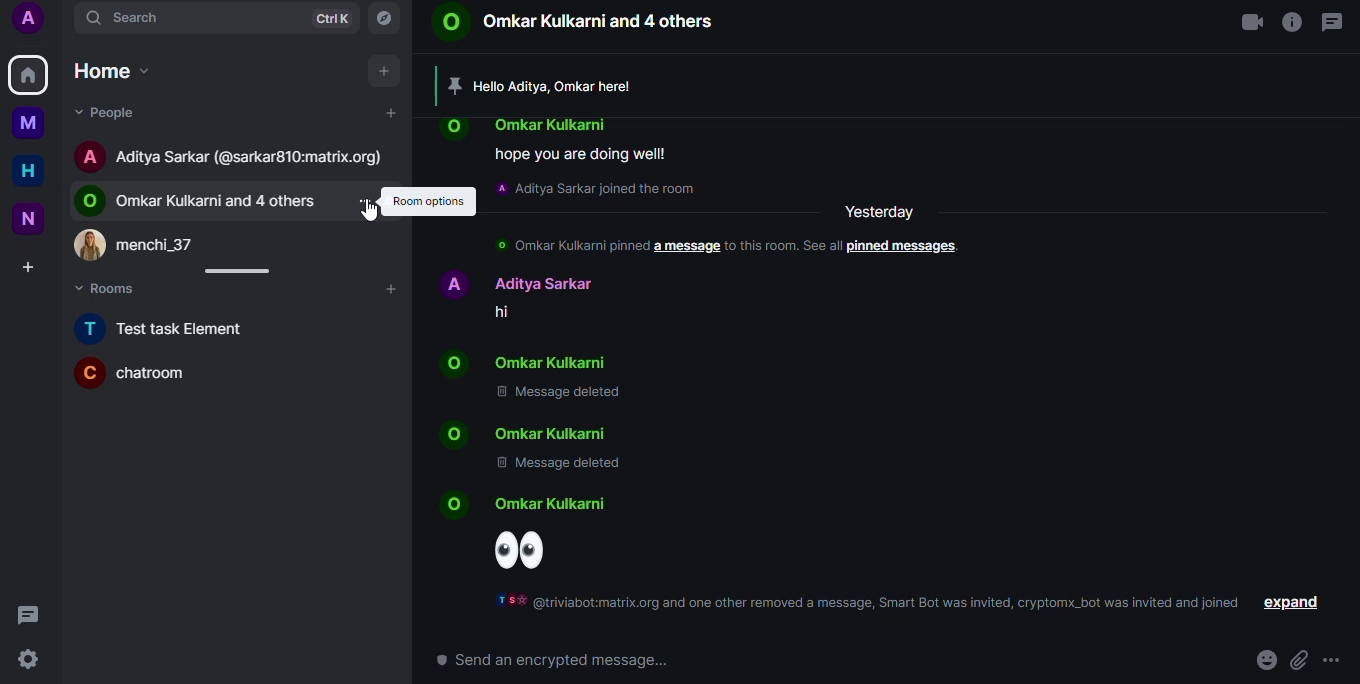 This screenshot has height=684, width=1360. I want to click on o, so click(451, 433).